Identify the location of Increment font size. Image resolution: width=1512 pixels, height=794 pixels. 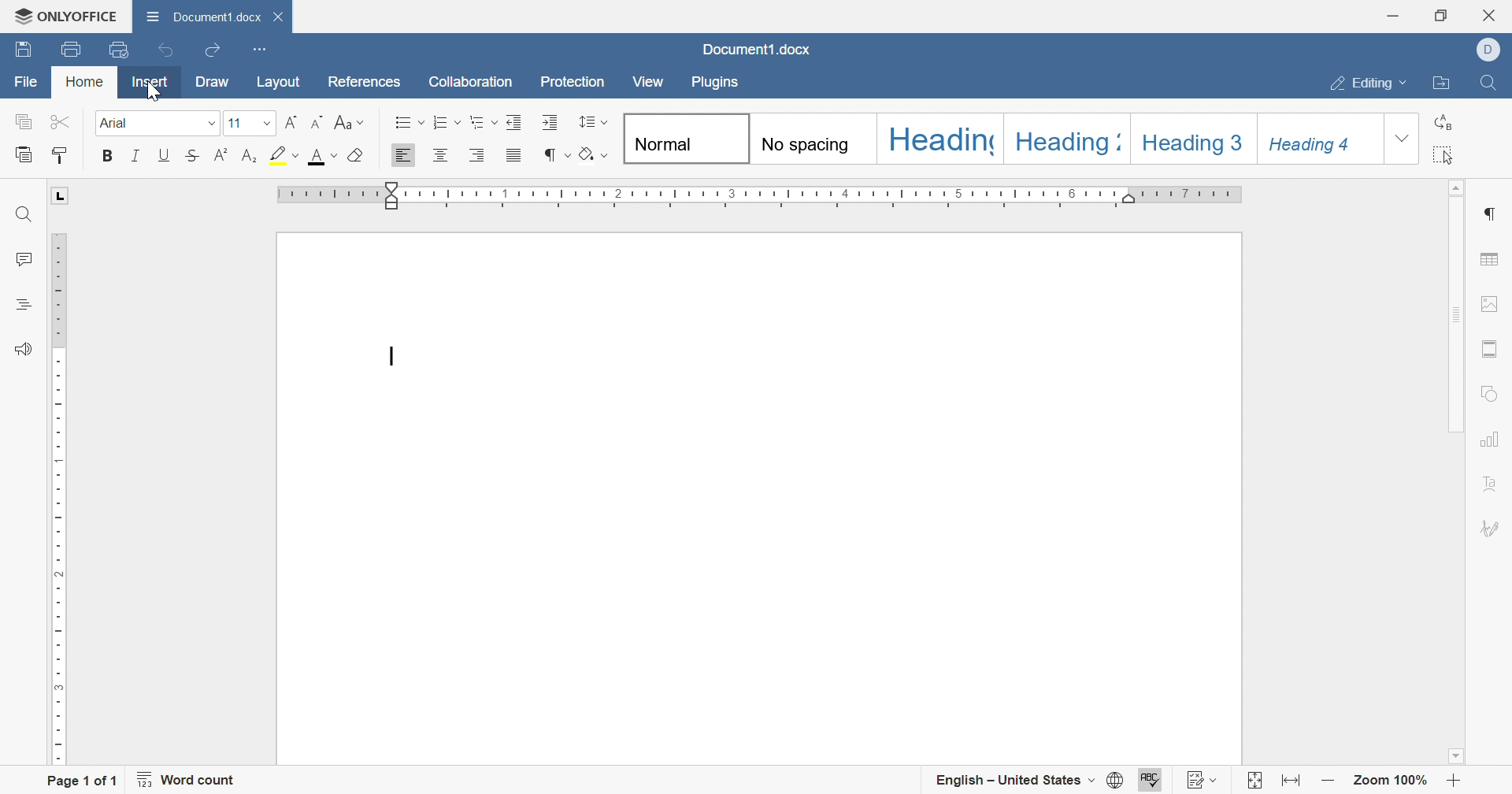
(291, 121).